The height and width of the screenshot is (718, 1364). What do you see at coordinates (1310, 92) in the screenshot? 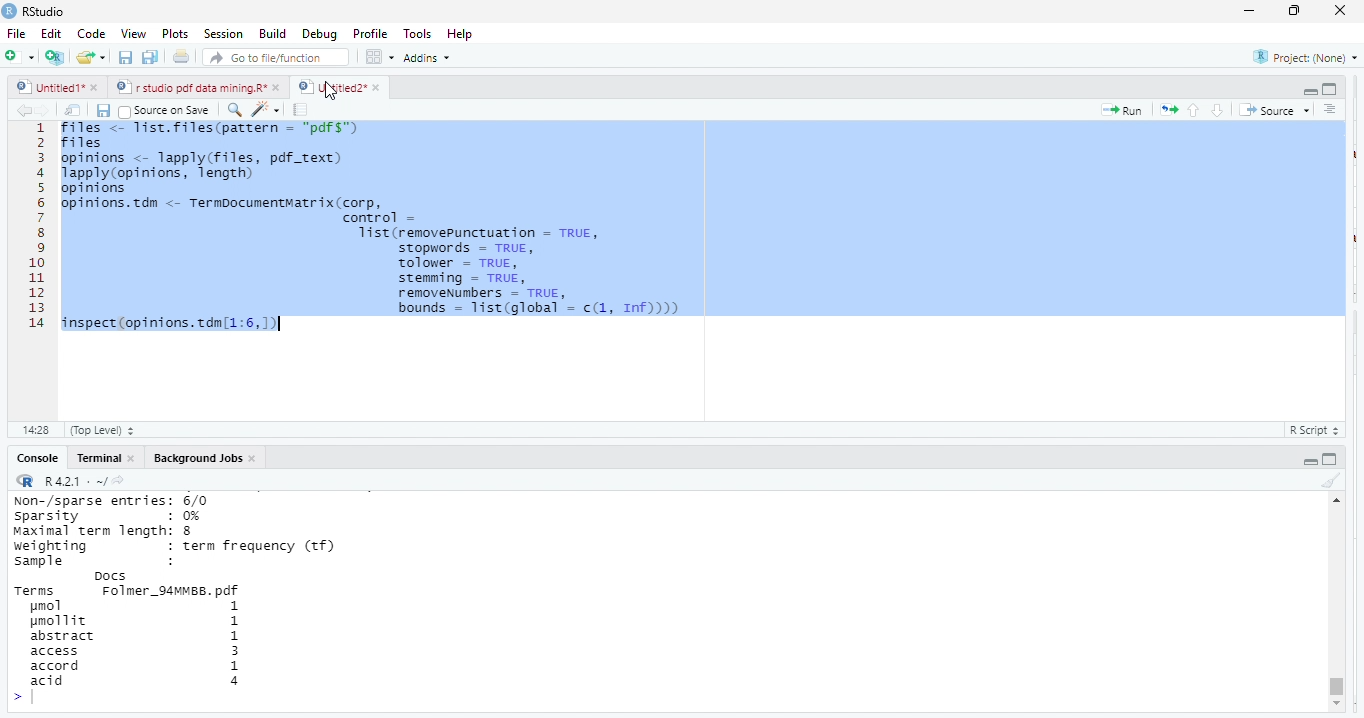
I see `hide r script` at bounding box center [1310, 92].